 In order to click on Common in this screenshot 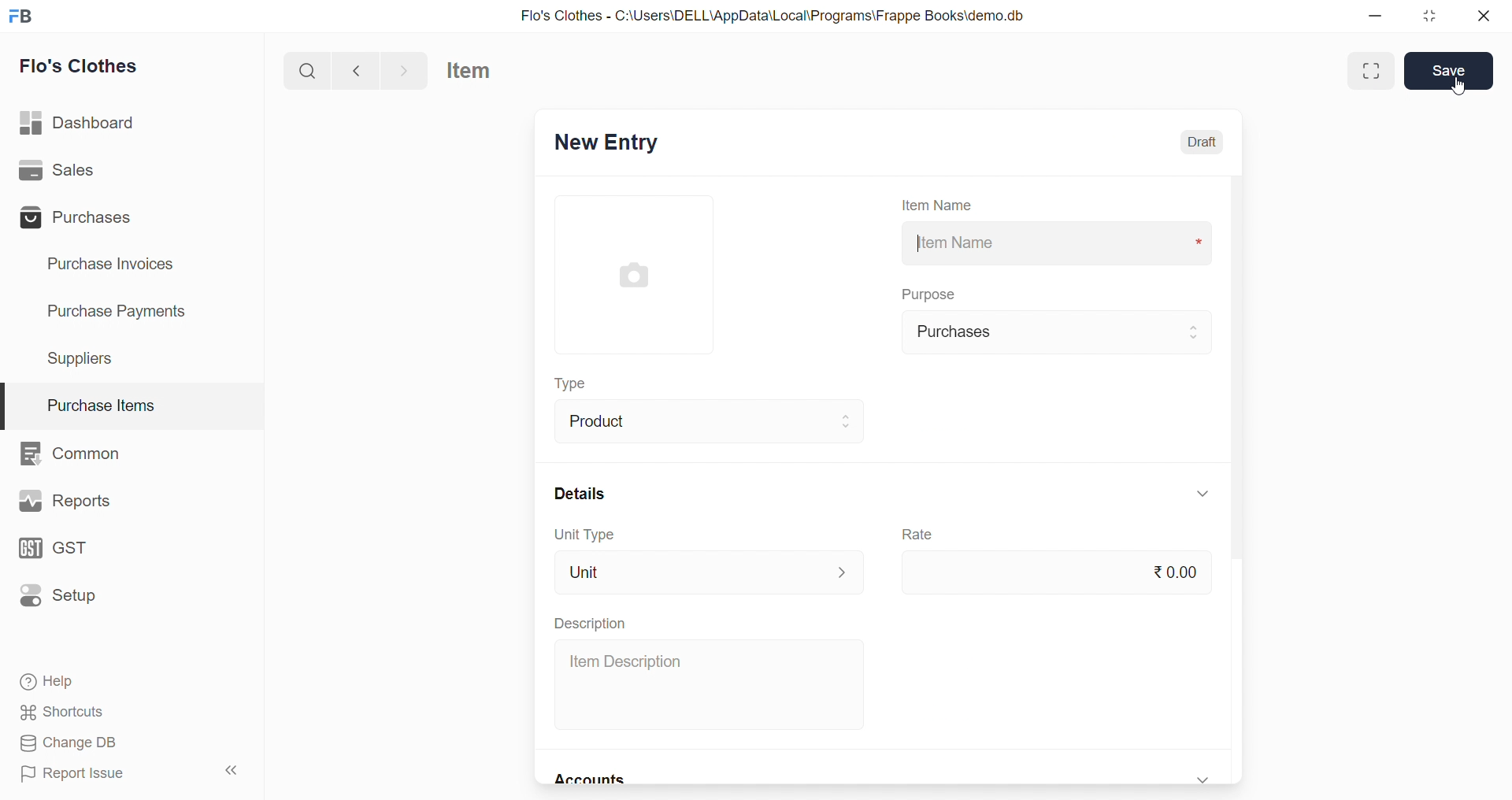, I will do `click(79, 452)`.